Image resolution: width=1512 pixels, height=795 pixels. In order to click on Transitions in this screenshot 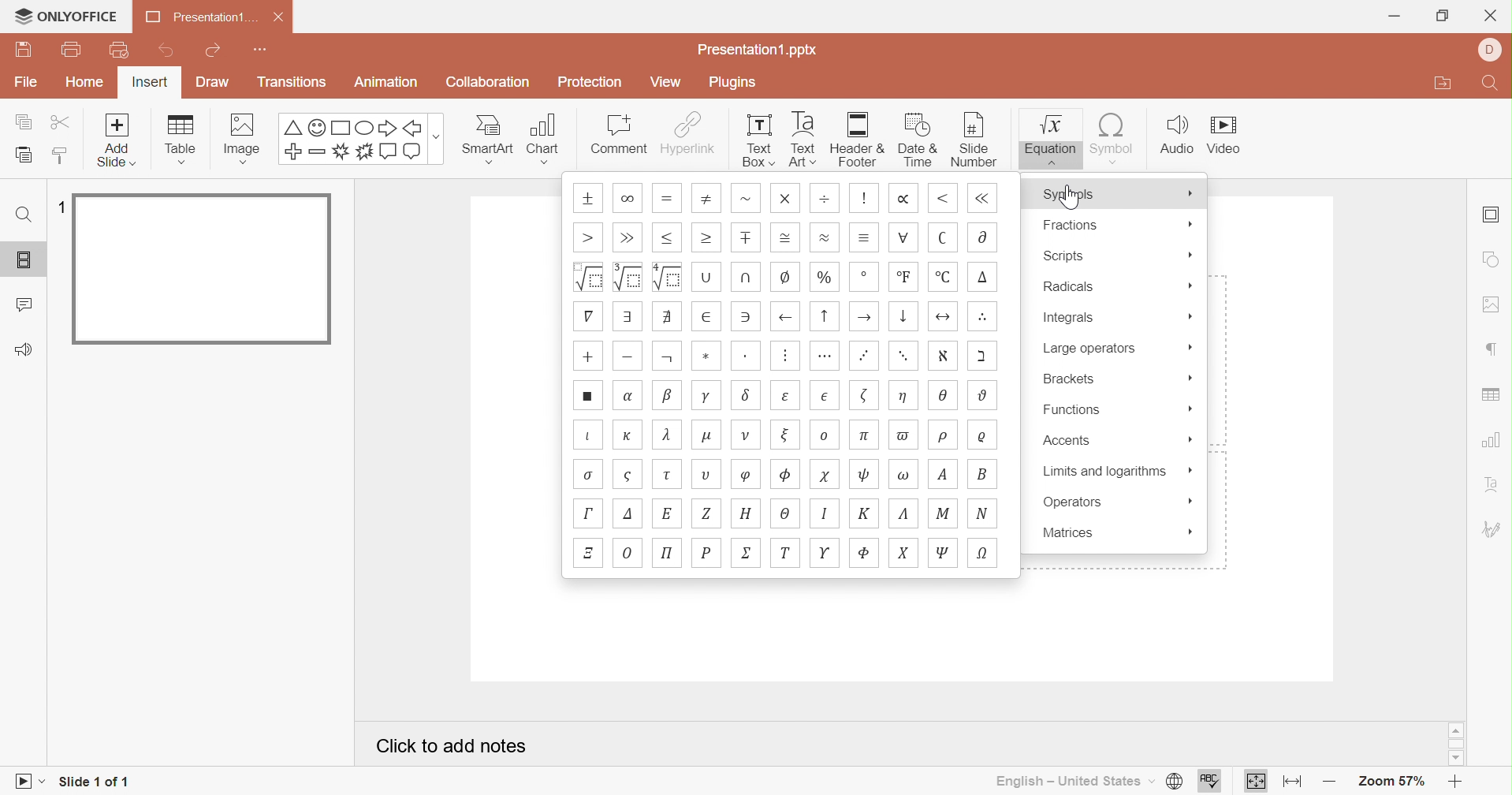, I will do `click(292, 82)`.